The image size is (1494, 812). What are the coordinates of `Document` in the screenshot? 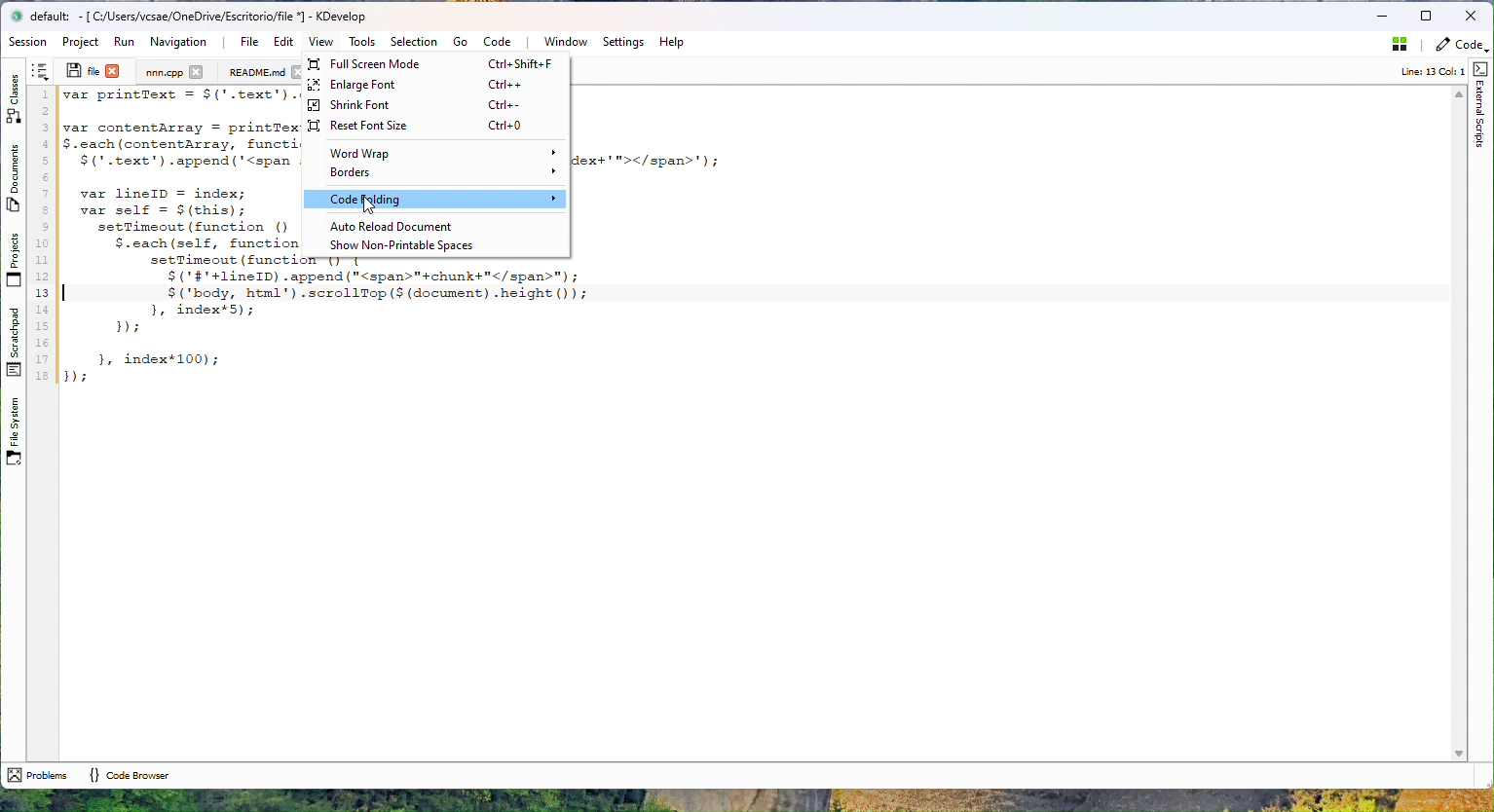 It's located at (256, 72).